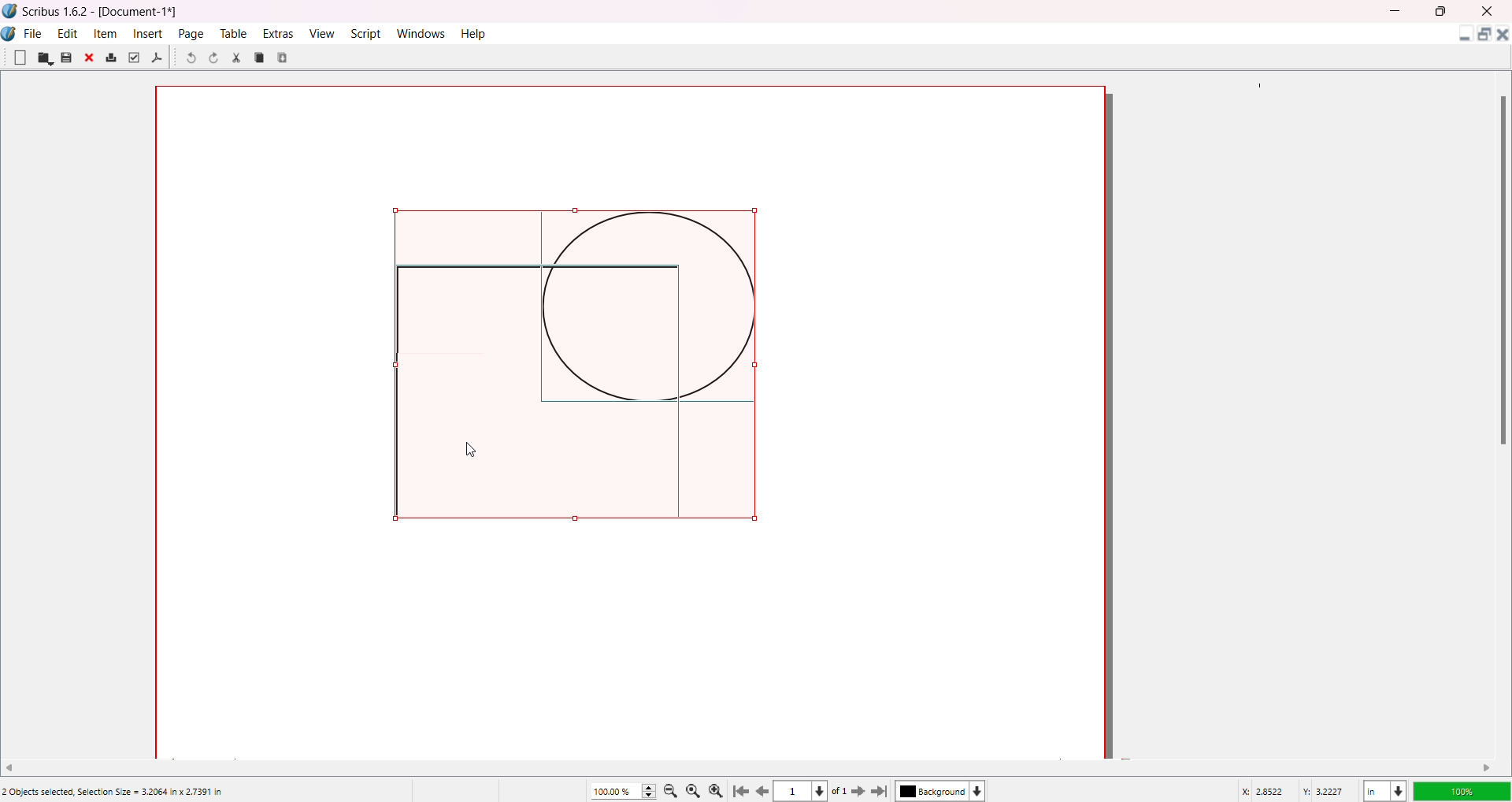  I want to click on Latitude/Longitude, so click(1295, 790).